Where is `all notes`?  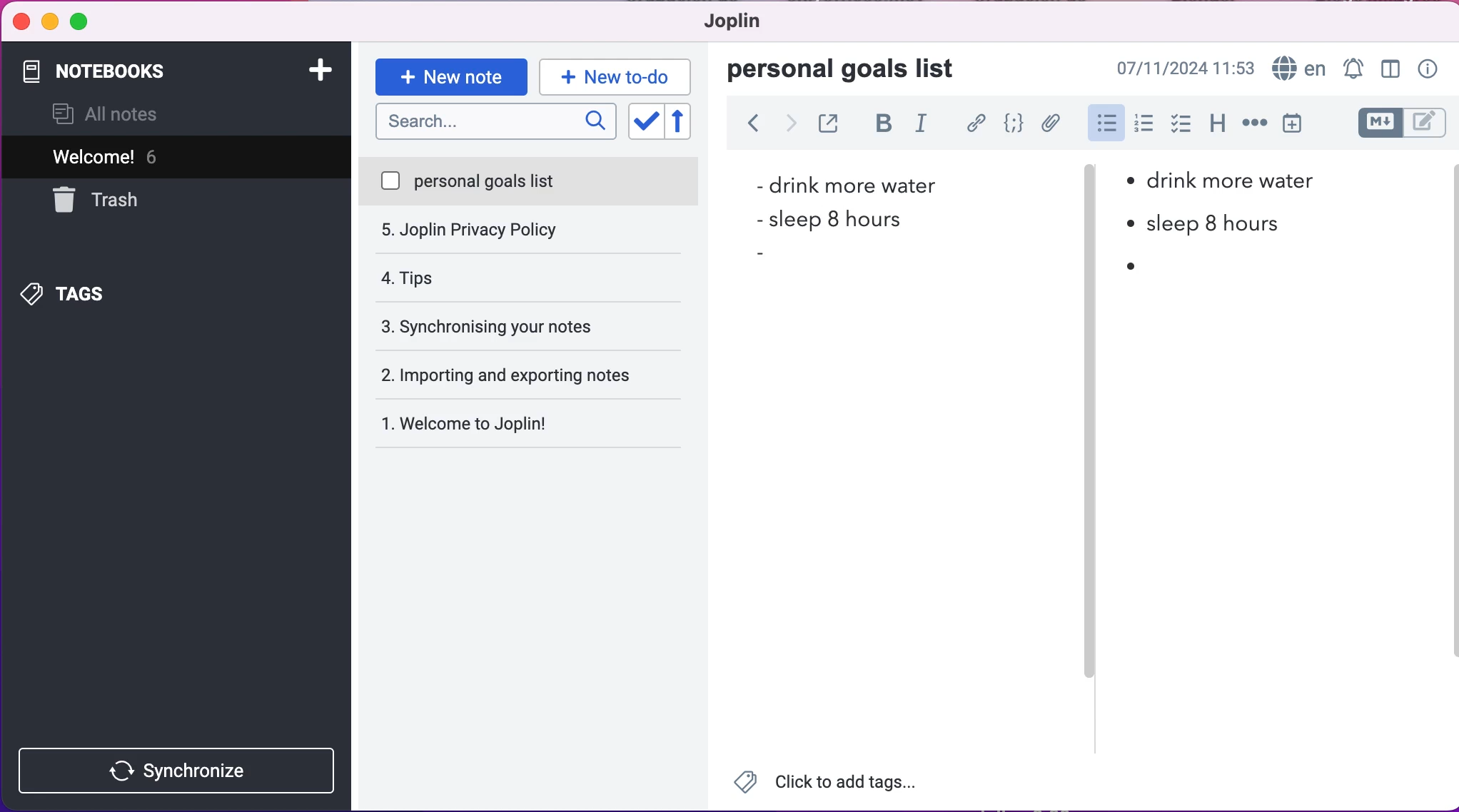
all notes is located at coordinates (114, 116).